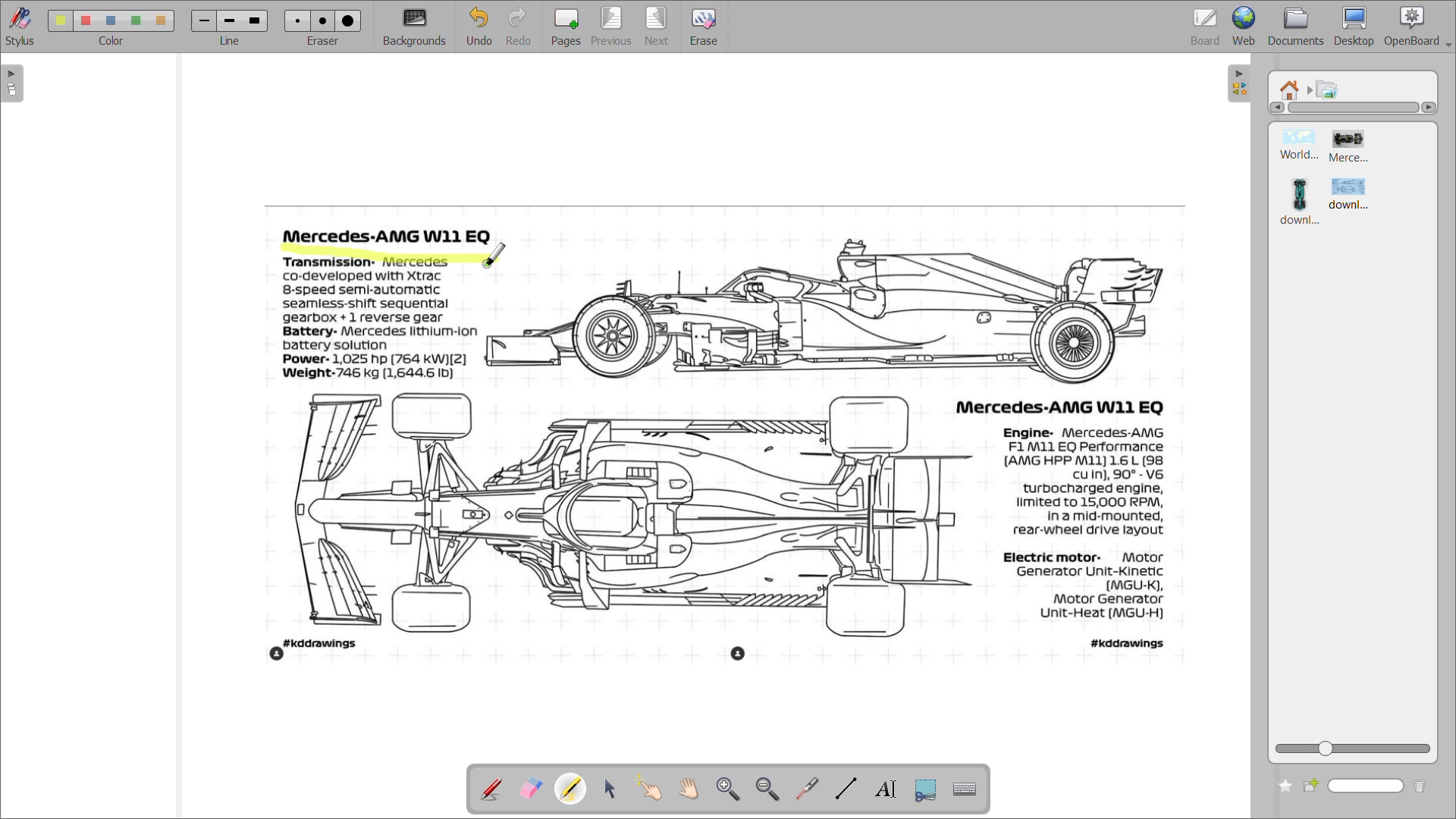  What do you see at coordinates (58, 21) in the screenshot?
I see `color 1` at bounding box center [58, 21].